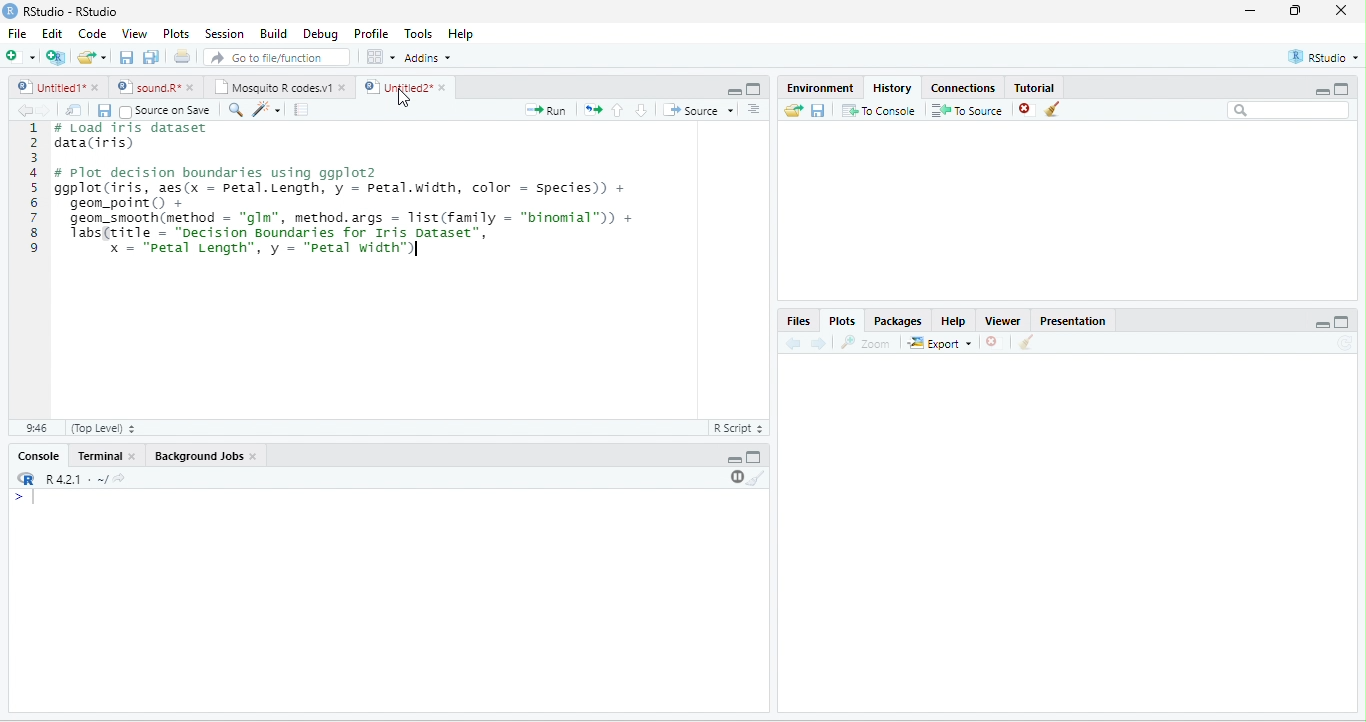 The width and height of the screenshot is (1366, 722). Describe the element at coordinates (757, 478) in the screenshot. I see `clear` at that location.